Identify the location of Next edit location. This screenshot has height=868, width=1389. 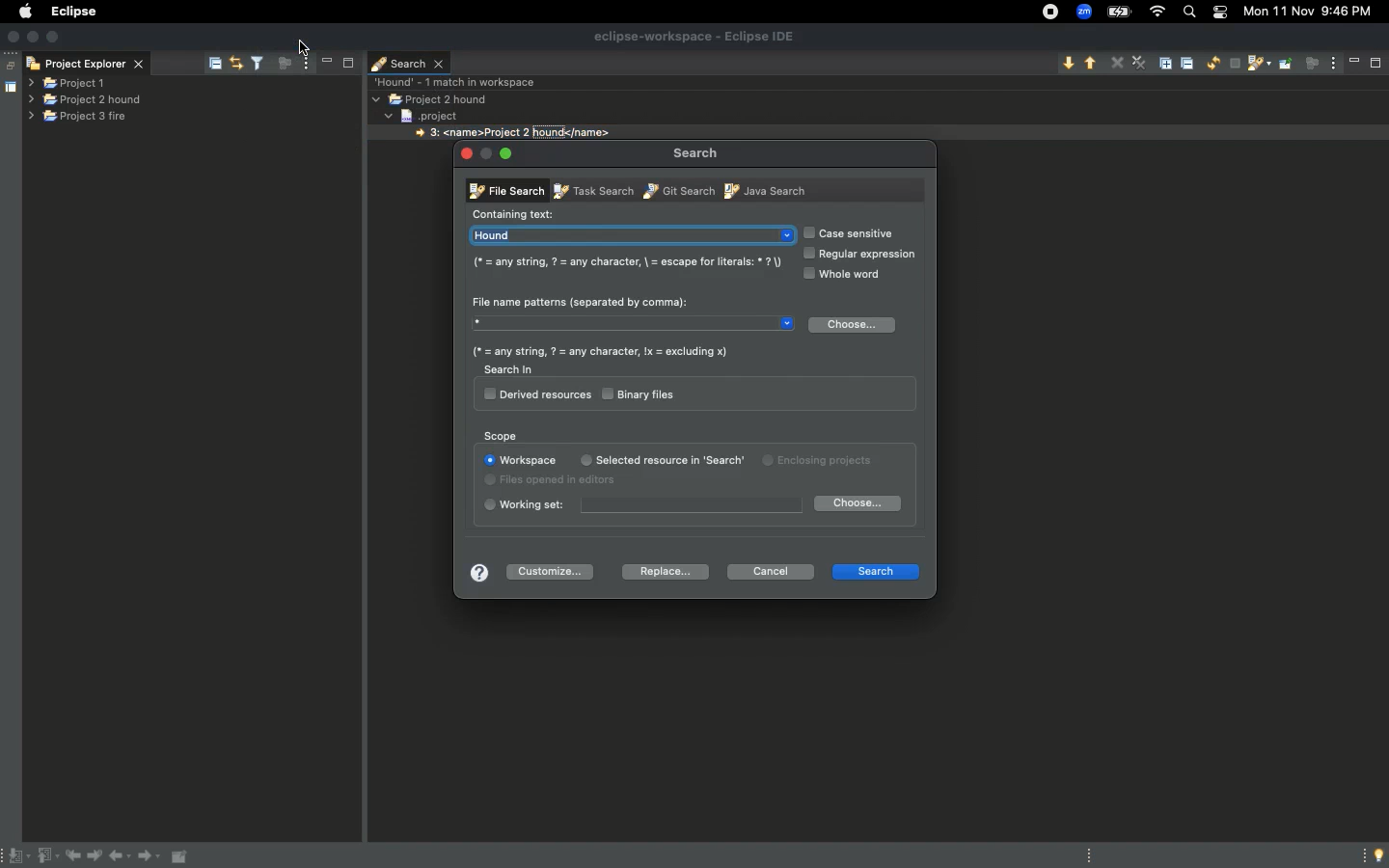
(96, 856).